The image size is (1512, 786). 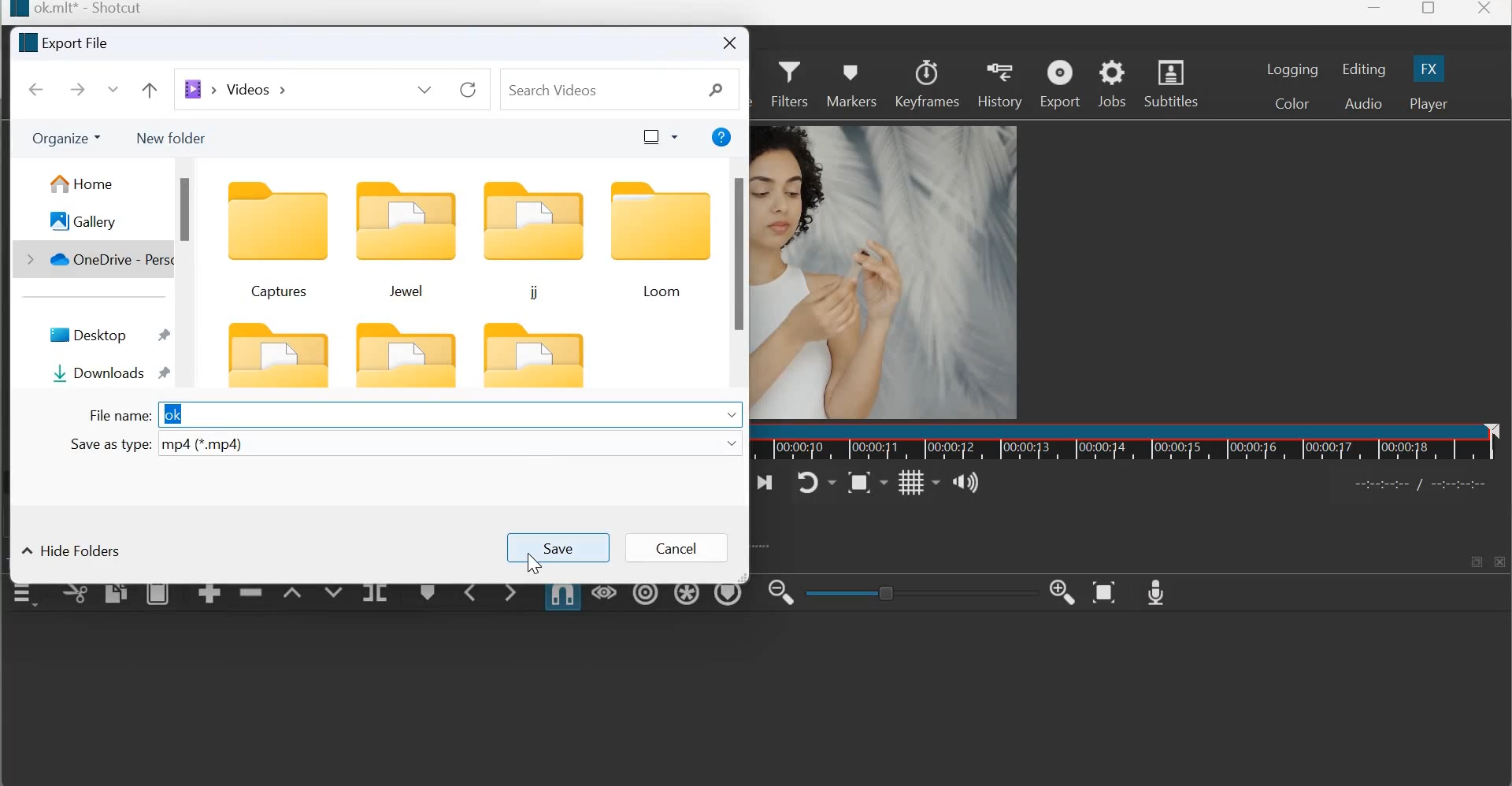 I want to click on forward, so click(x=76, y=89).